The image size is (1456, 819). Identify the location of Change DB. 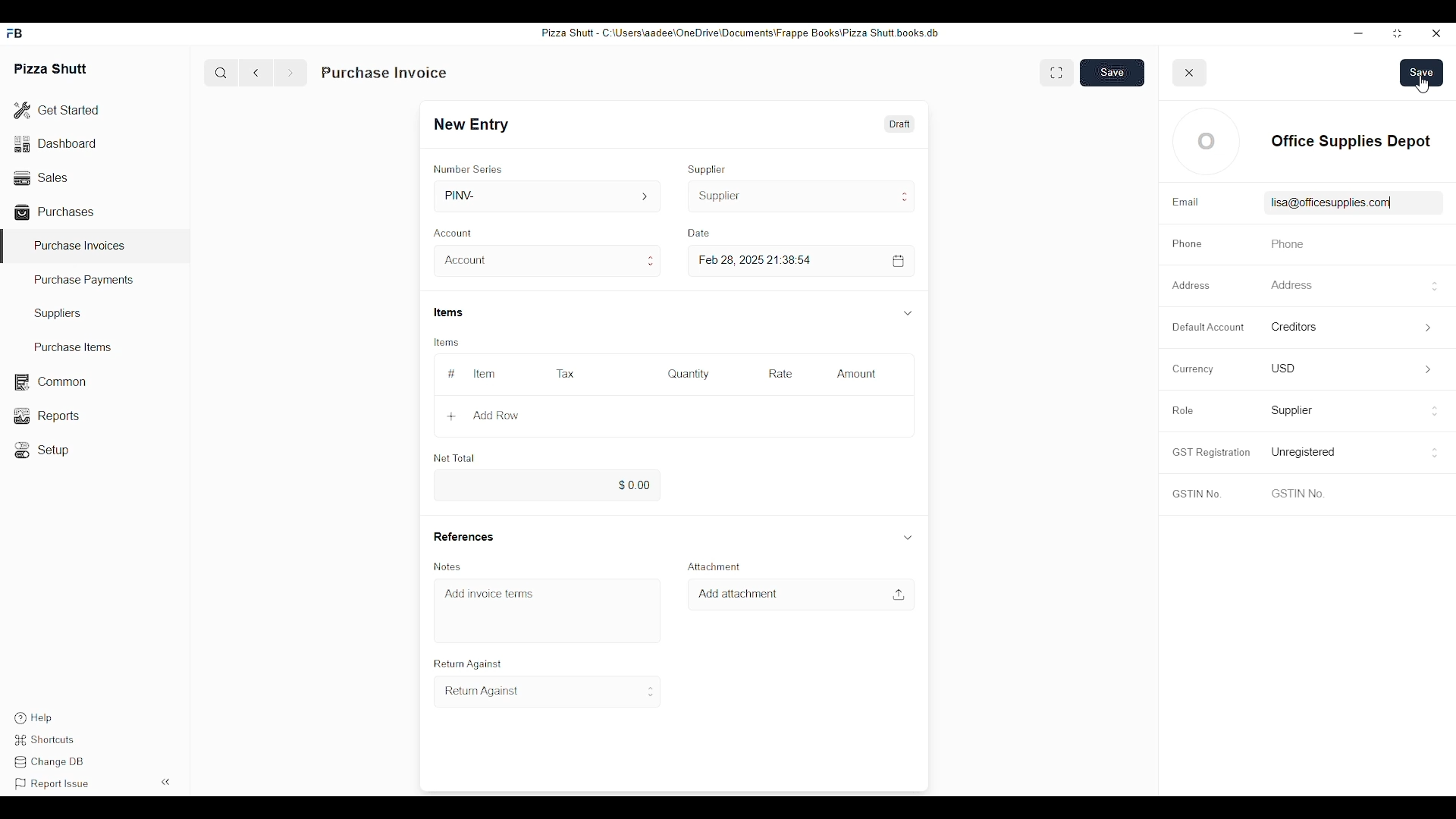
(52, 764).